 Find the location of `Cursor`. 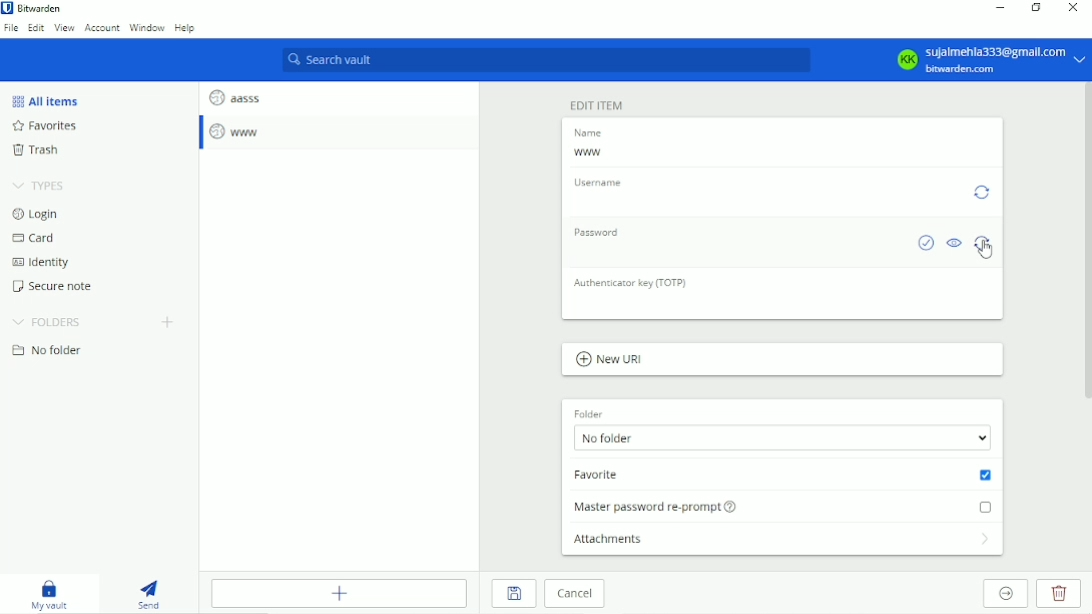

Cursor is located at coordinates (987, 249).